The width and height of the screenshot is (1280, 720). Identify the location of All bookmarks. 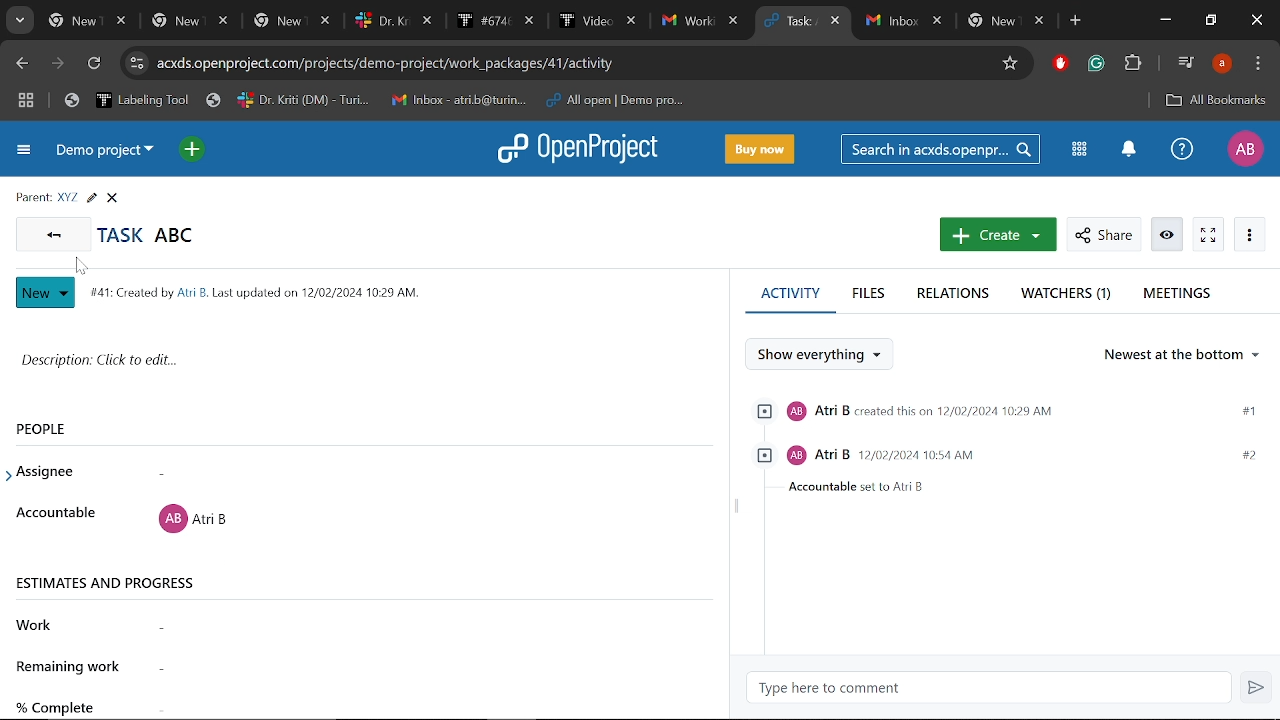
(1217, 100).